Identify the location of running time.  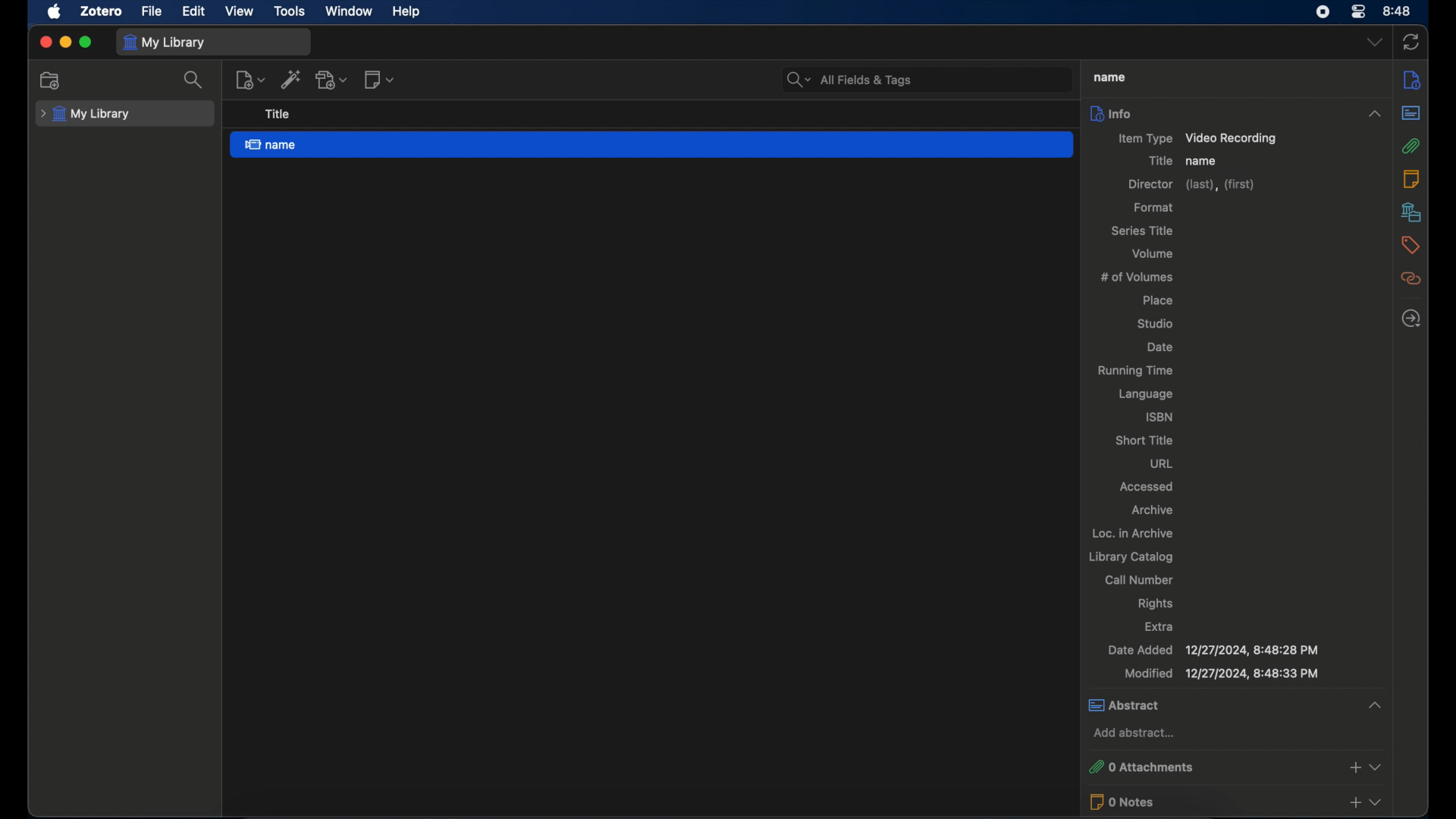
(1134, 371).